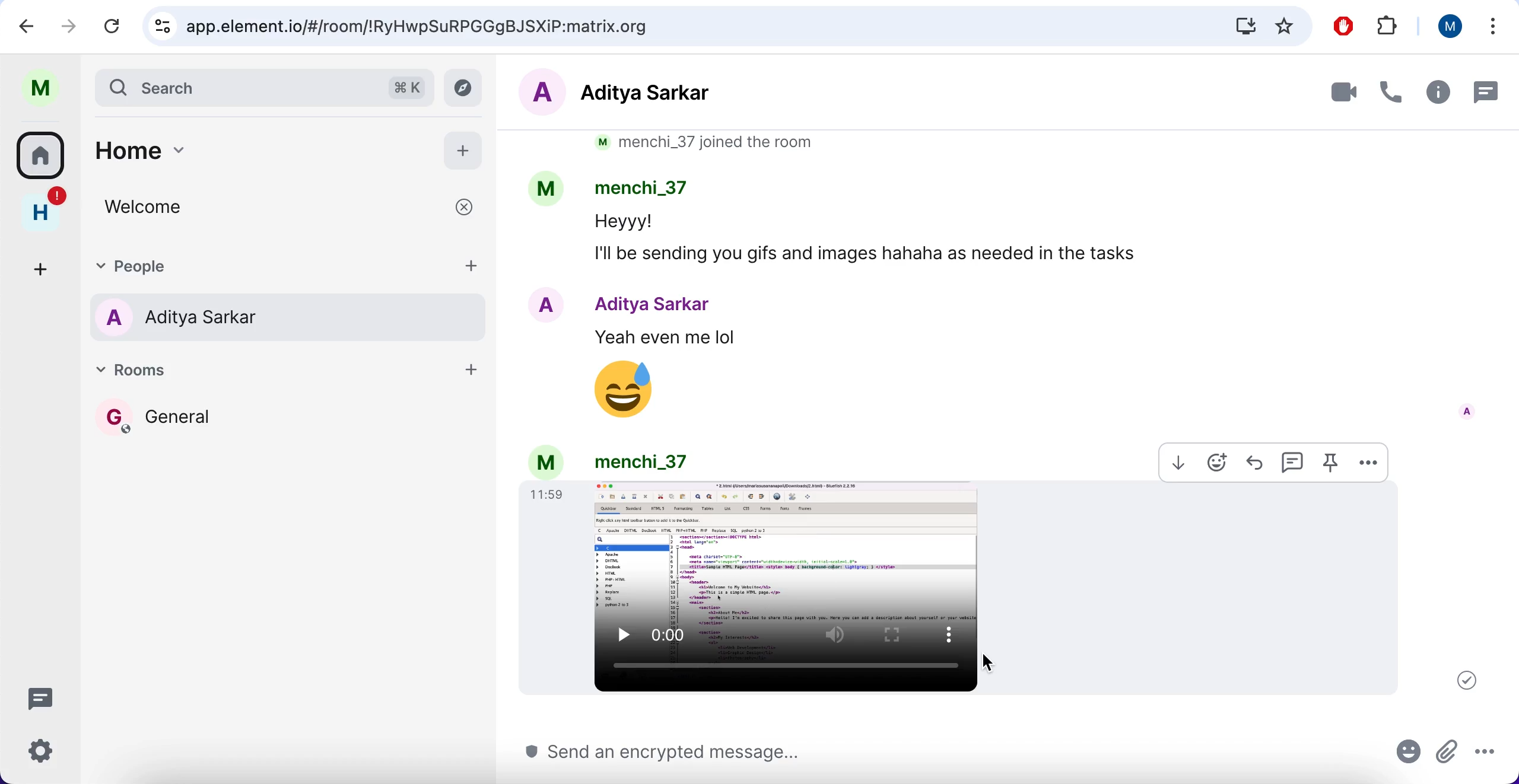 This screenshot has height=784, width=1519. What do you see at coordinates (548, 459) in the screenshot?
I see `m` at bounding box center [548, 459].